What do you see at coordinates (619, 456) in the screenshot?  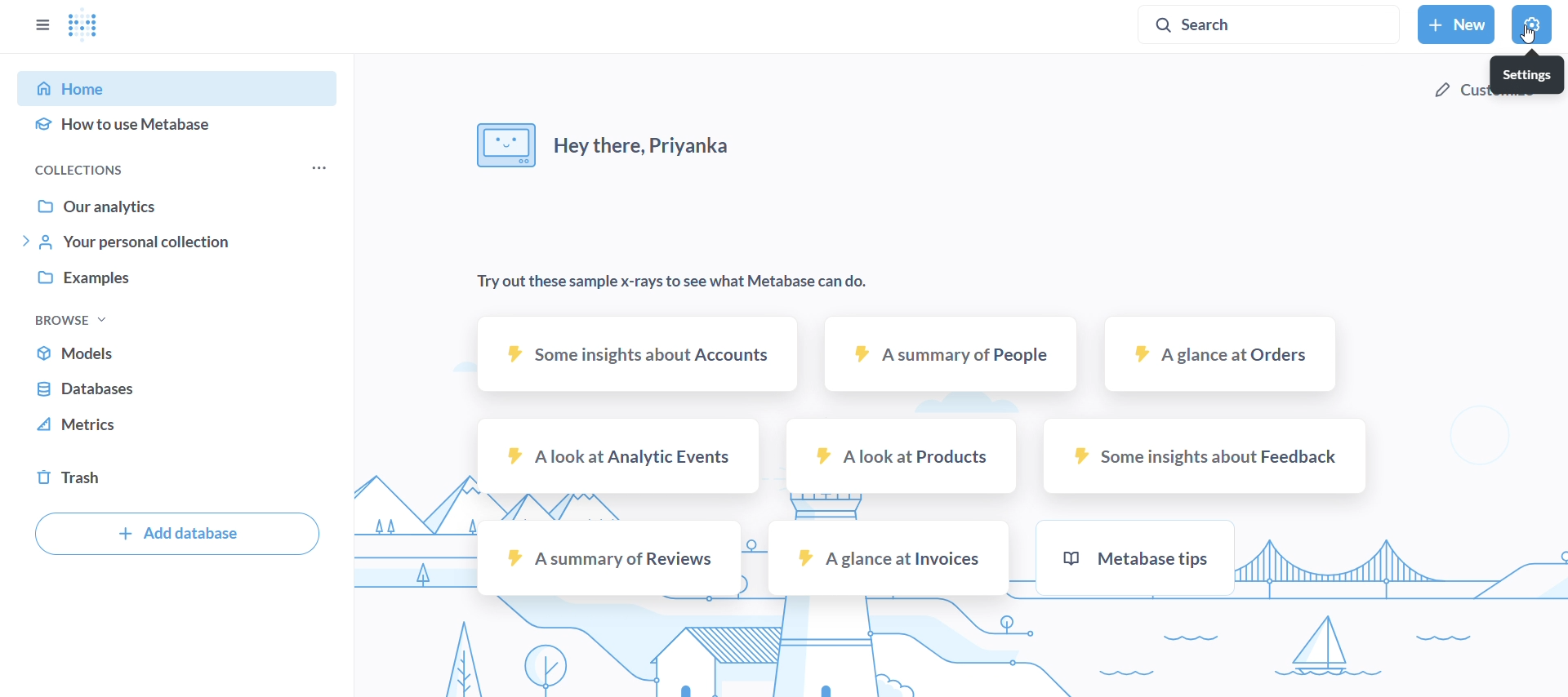 I see `a look at analytic events` at bounding box center [619, 456].